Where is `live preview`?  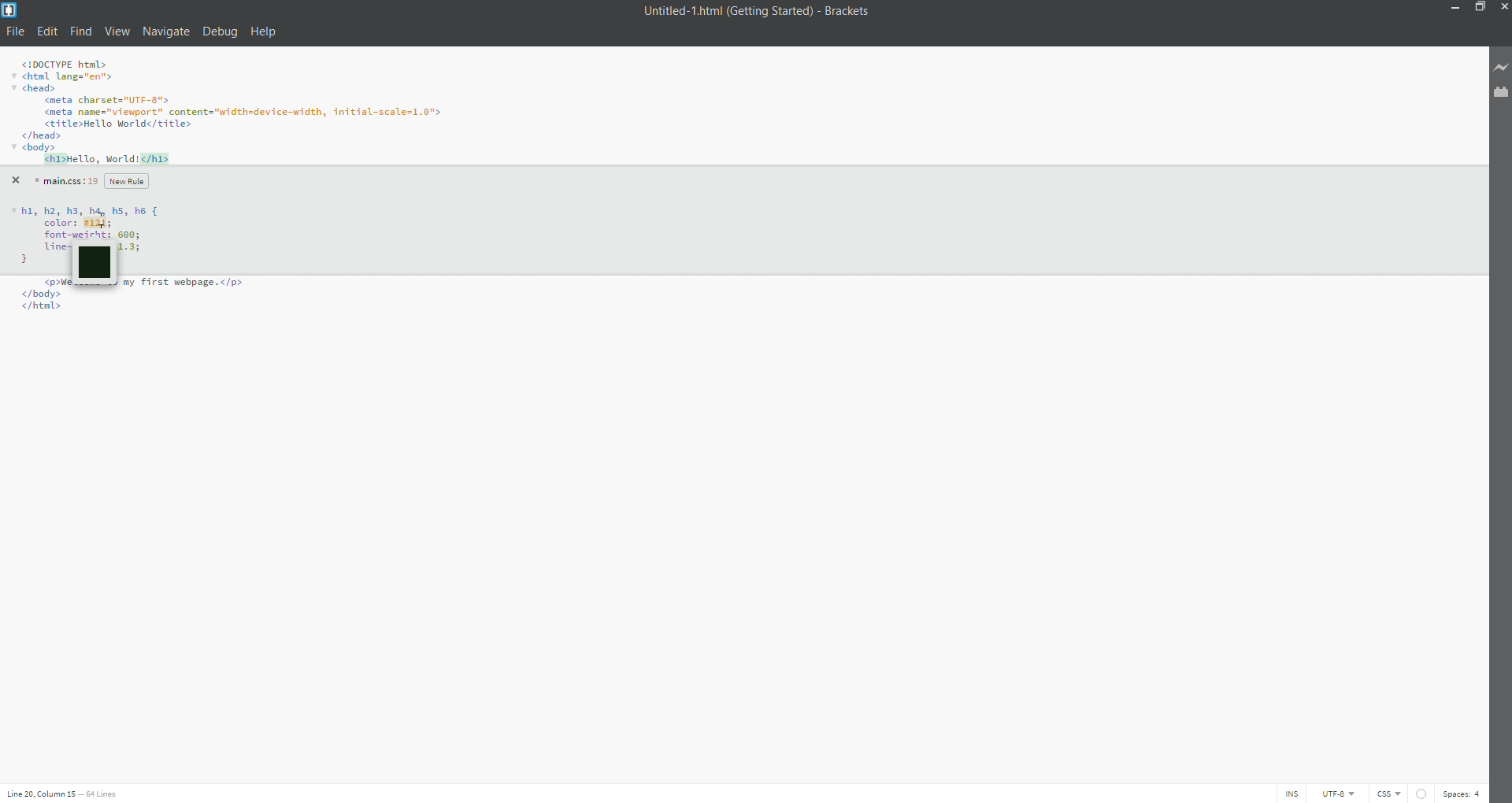
live preview is located at coordinates (1497, 68).